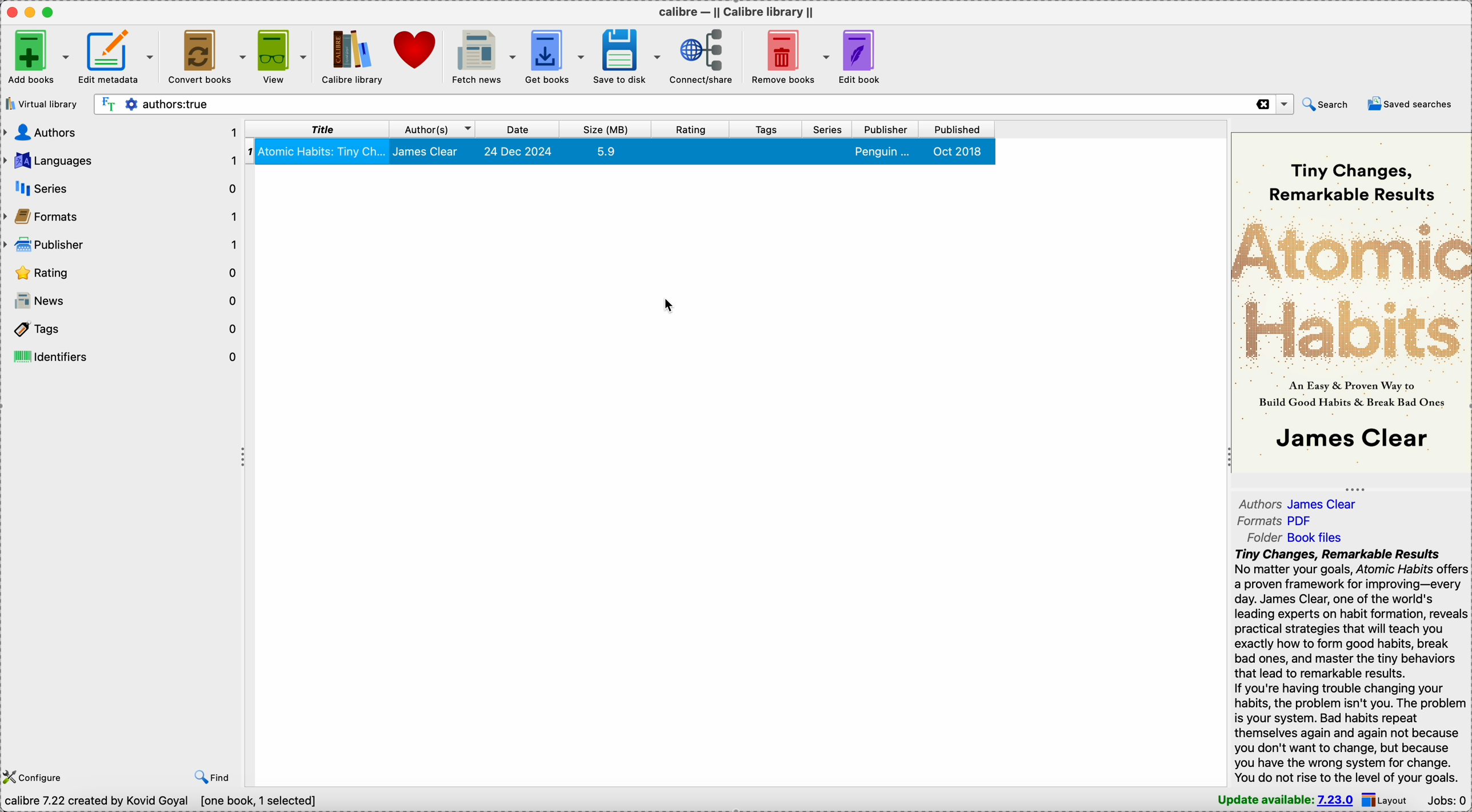  What do you see at coordinates (1283, 800) in the screenshot?
I see `update available: 7.23.0` at bounding box center [1283, 800].